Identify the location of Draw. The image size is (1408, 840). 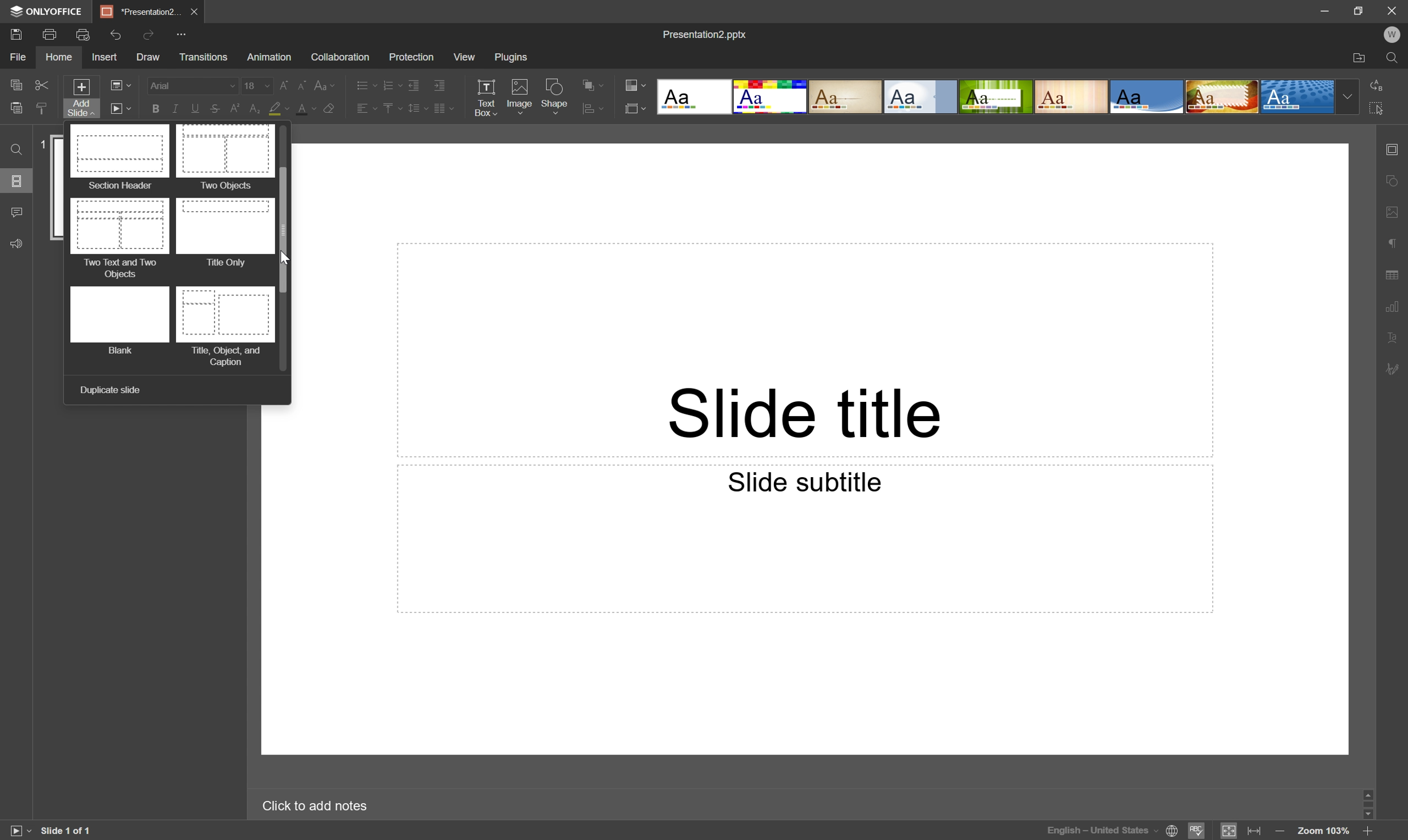
(146, 55).